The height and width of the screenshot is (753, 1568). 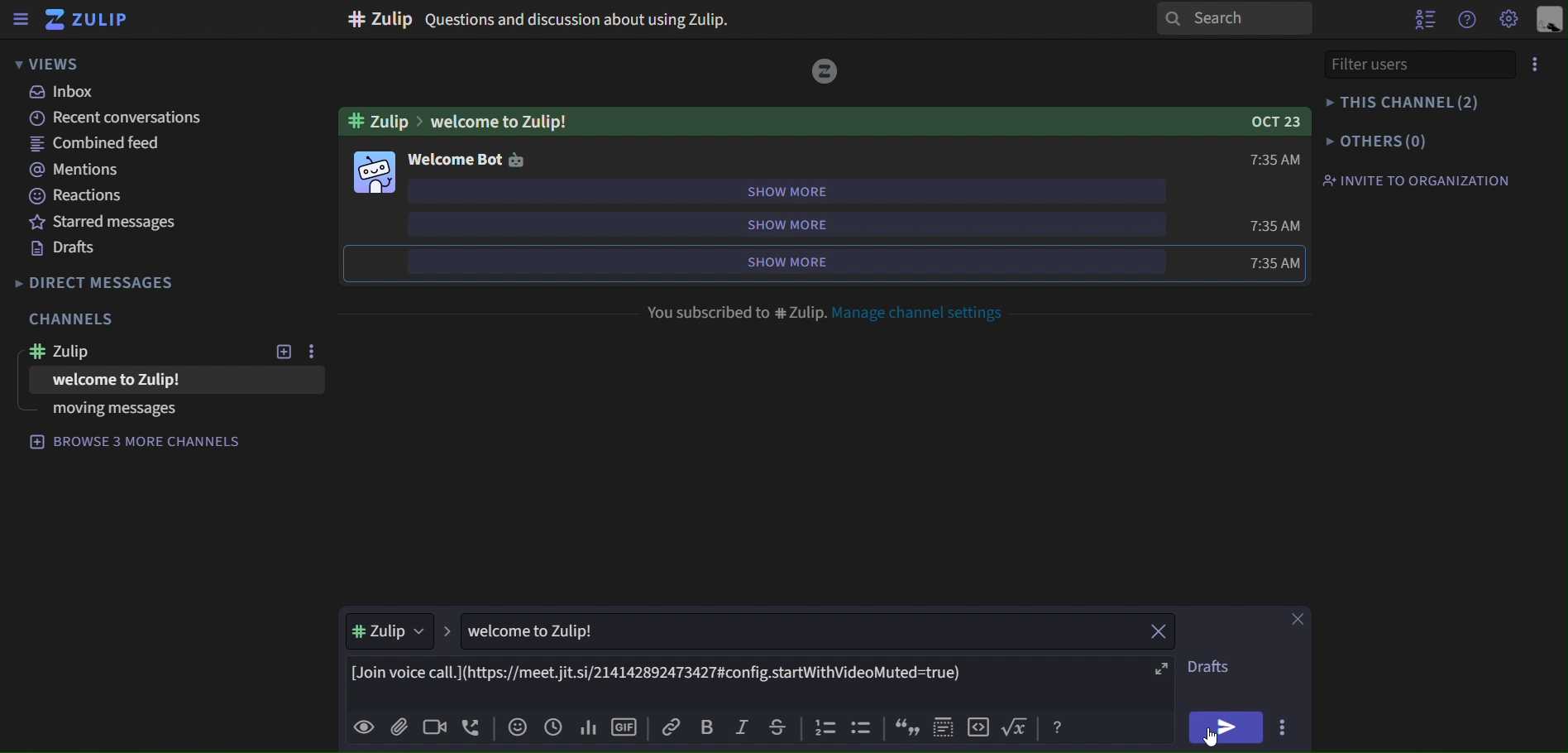 What do you see at coordinates (825, 191) in the screenshot?
I see `show more` at bounding box center [825, 191].